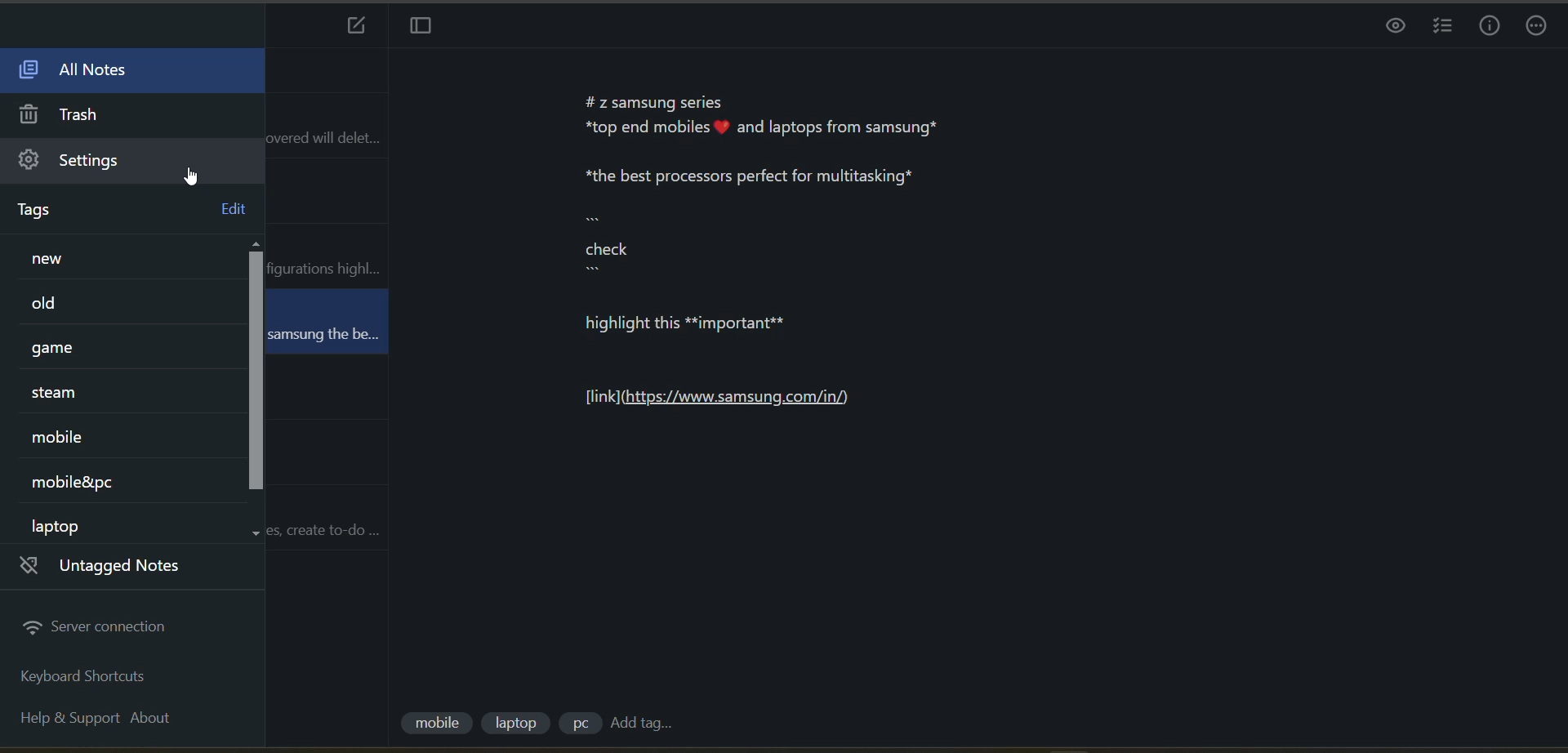 This screenshot has height=753, width=1568. Describe the element at coordinates (435, 725) in the screenshot. I see `tag 1` at that location.